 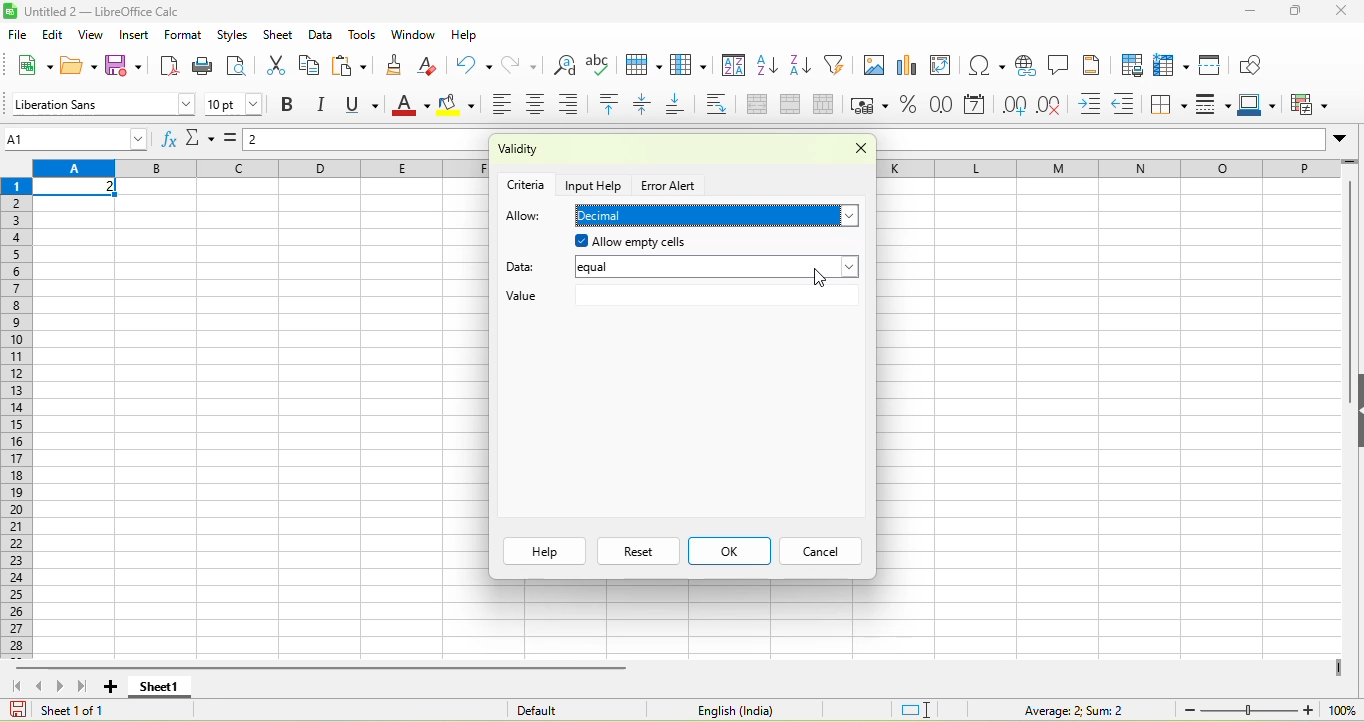 I want to click on formula, so click(x=1059, y=709).